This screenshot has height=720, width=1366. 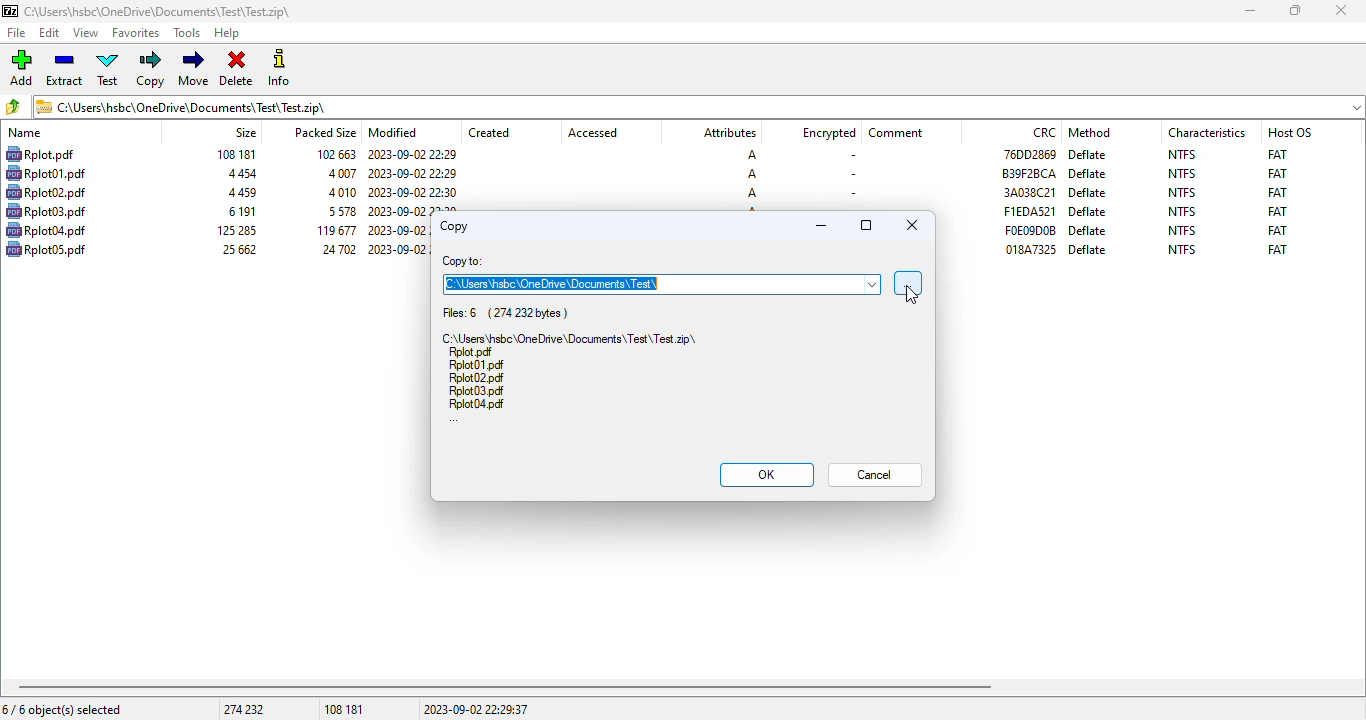 What do you see at coordinates (1088, 192) in the screenshot?
I see `deflate` at bounding box center [1088, 192].